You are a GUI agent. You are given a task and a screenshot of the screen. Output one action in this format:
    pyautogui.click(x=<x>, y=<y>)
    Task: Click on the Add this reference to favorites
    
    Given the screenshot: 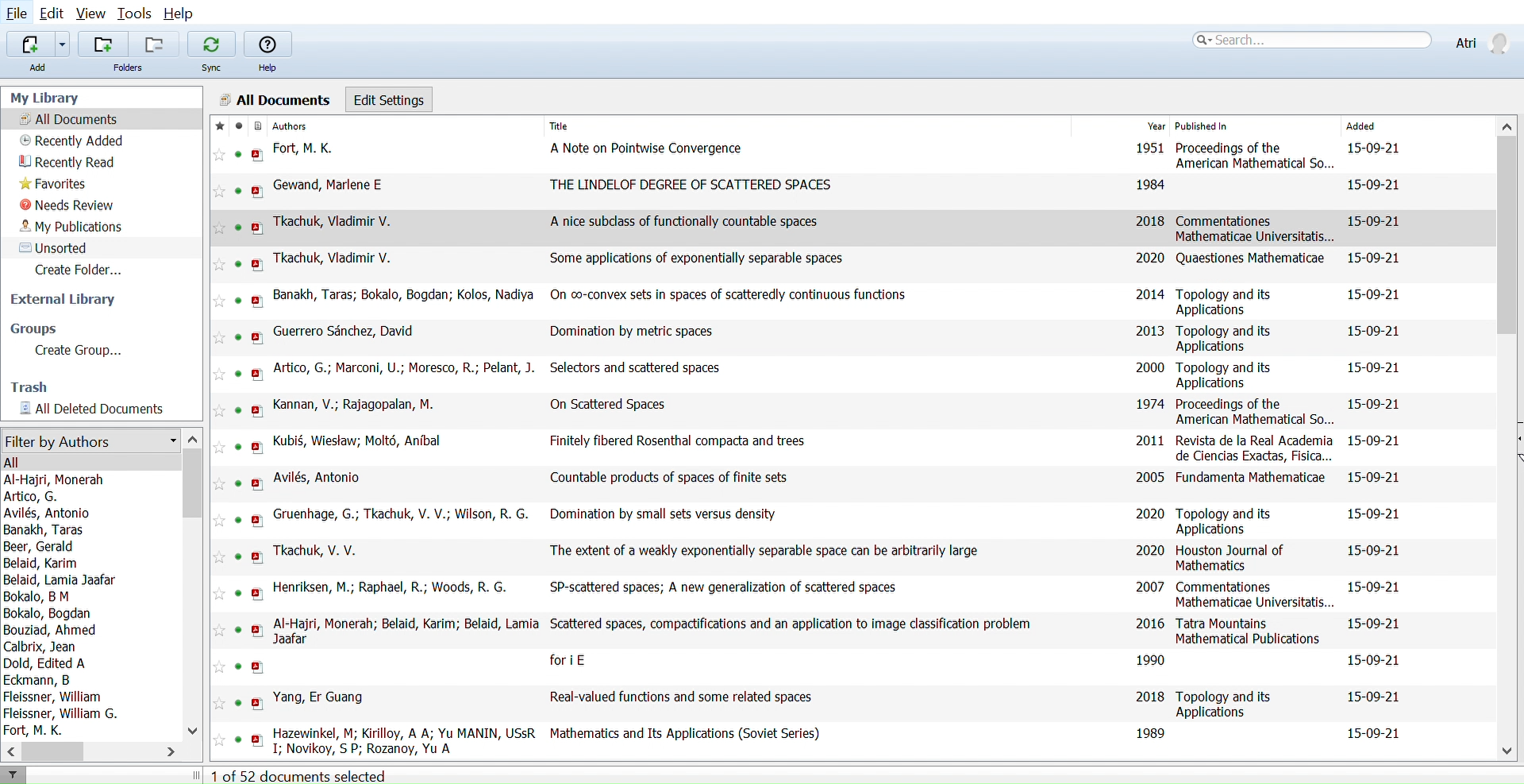 What is the action you would take?
    pyautogui.click(x=220, y=191)
    